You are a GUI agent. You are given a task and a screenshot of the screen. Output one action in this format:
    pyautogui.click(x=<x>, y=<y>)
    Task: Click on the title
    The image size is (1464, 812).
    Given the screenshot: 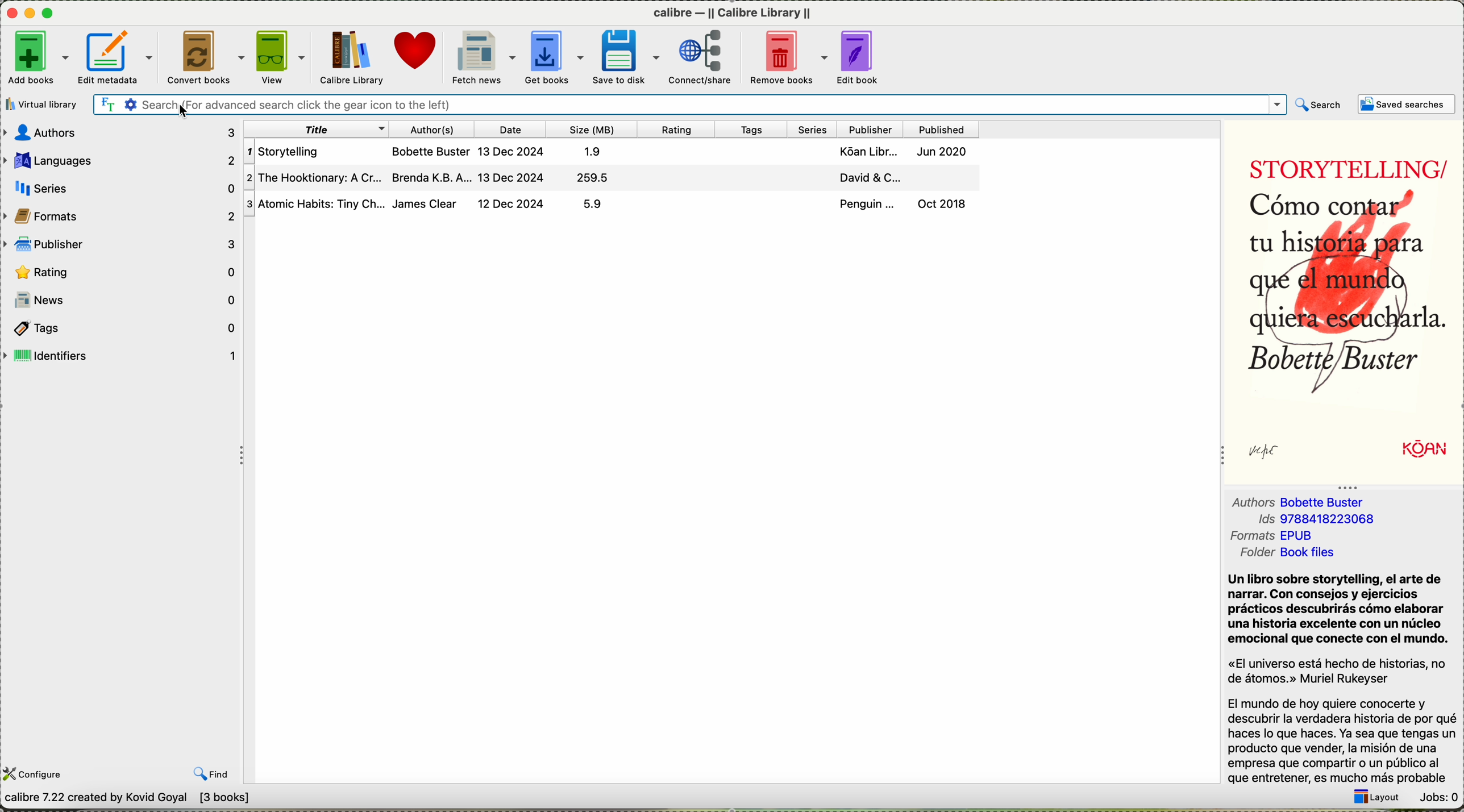 What is the action you would take?
    pyautogui.click(x=318, y=128)
    